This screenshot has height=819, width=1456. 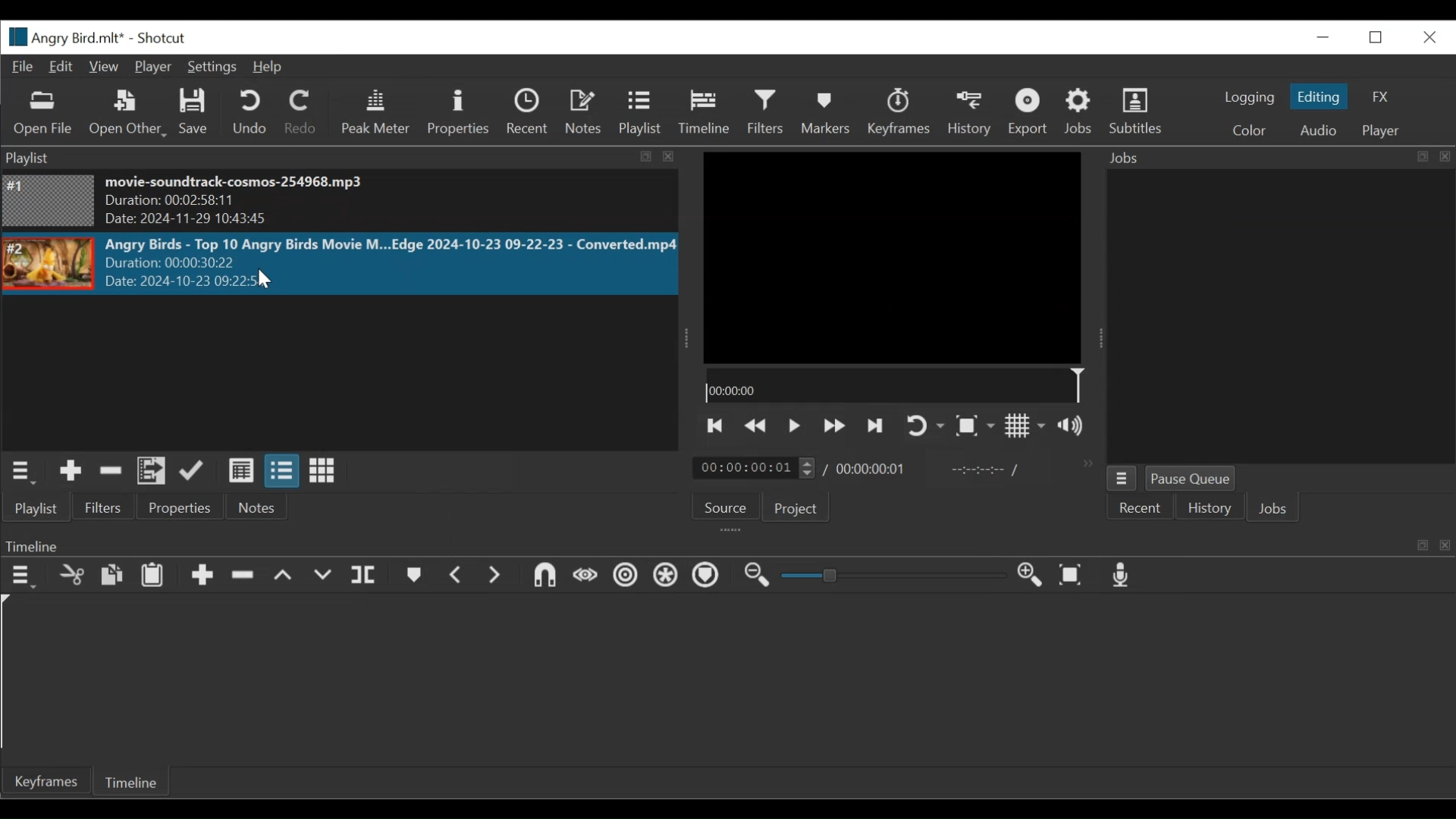 I want to click on Edit, so click(x=61, y=66).